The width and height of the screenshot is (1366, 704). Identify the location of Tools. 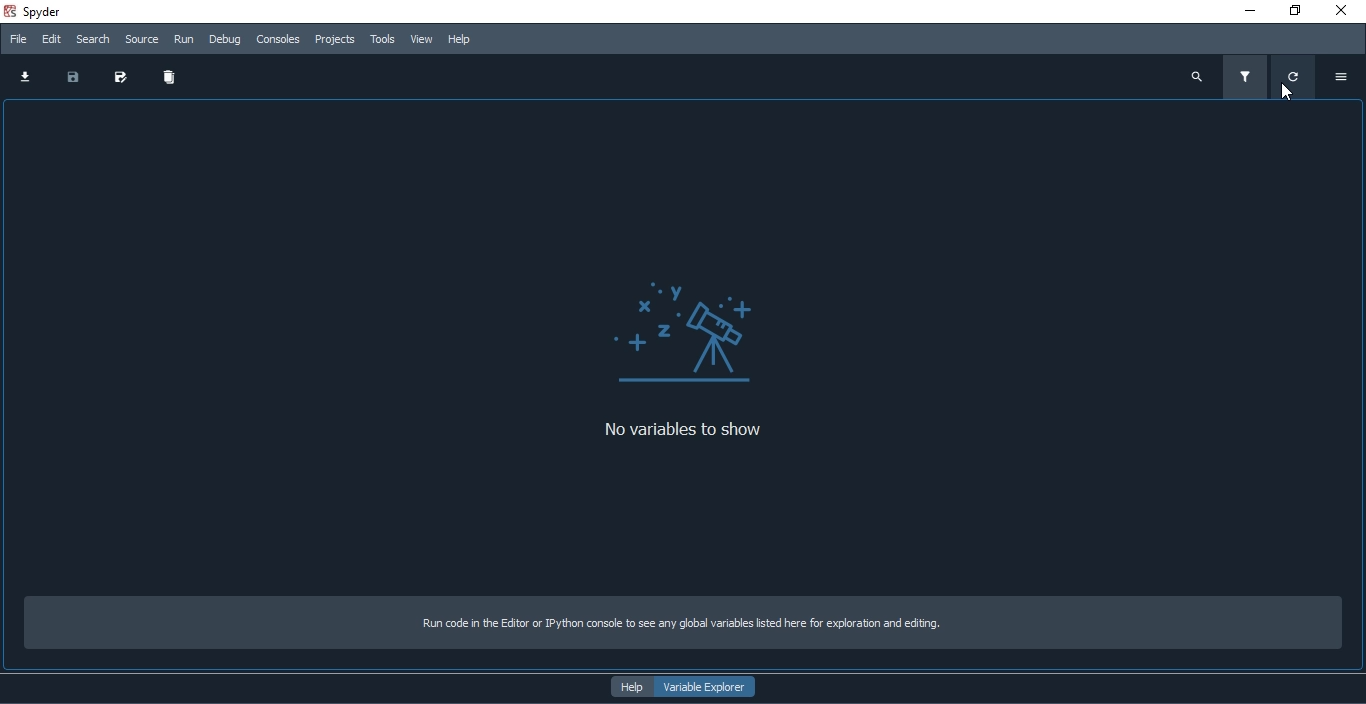
(383, 39).